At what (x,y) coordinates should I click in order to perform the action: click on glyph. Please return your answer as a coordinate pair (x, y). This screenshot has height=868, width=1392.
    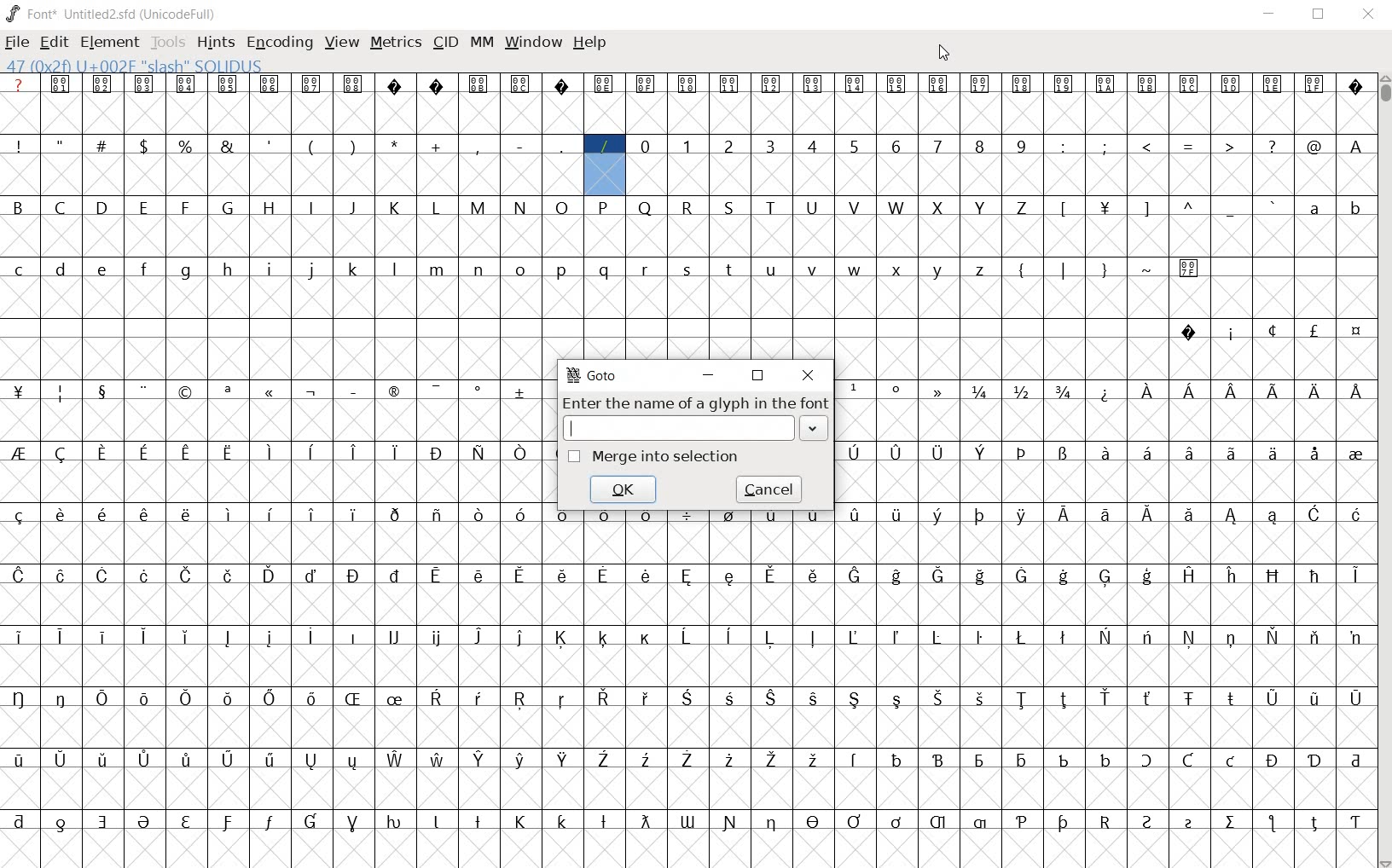
    Looking at the image, I should click on (520, 760).